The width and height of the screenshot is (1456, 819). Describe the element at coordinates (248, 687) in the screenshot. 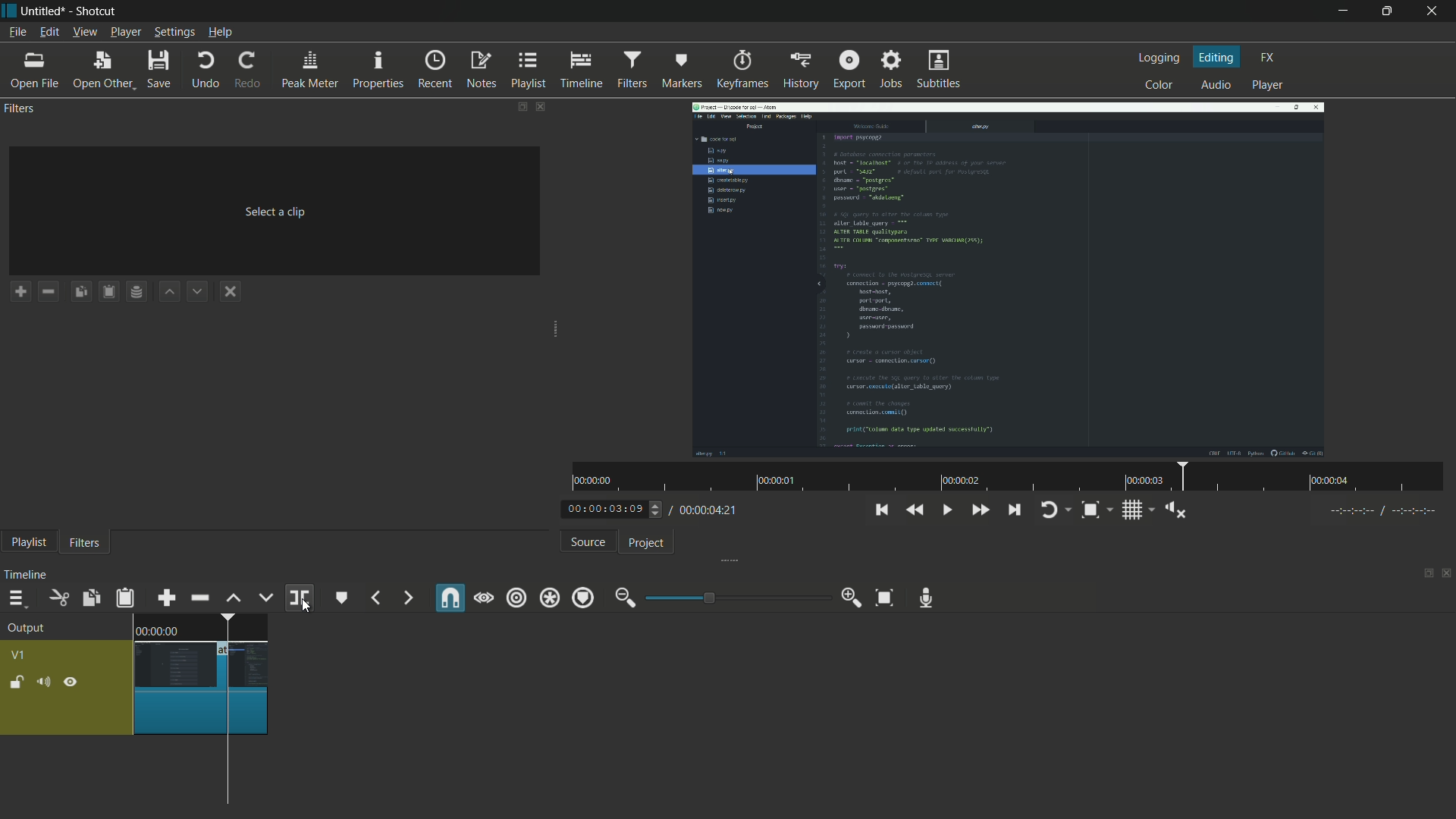

I see `video has been split` at that location.